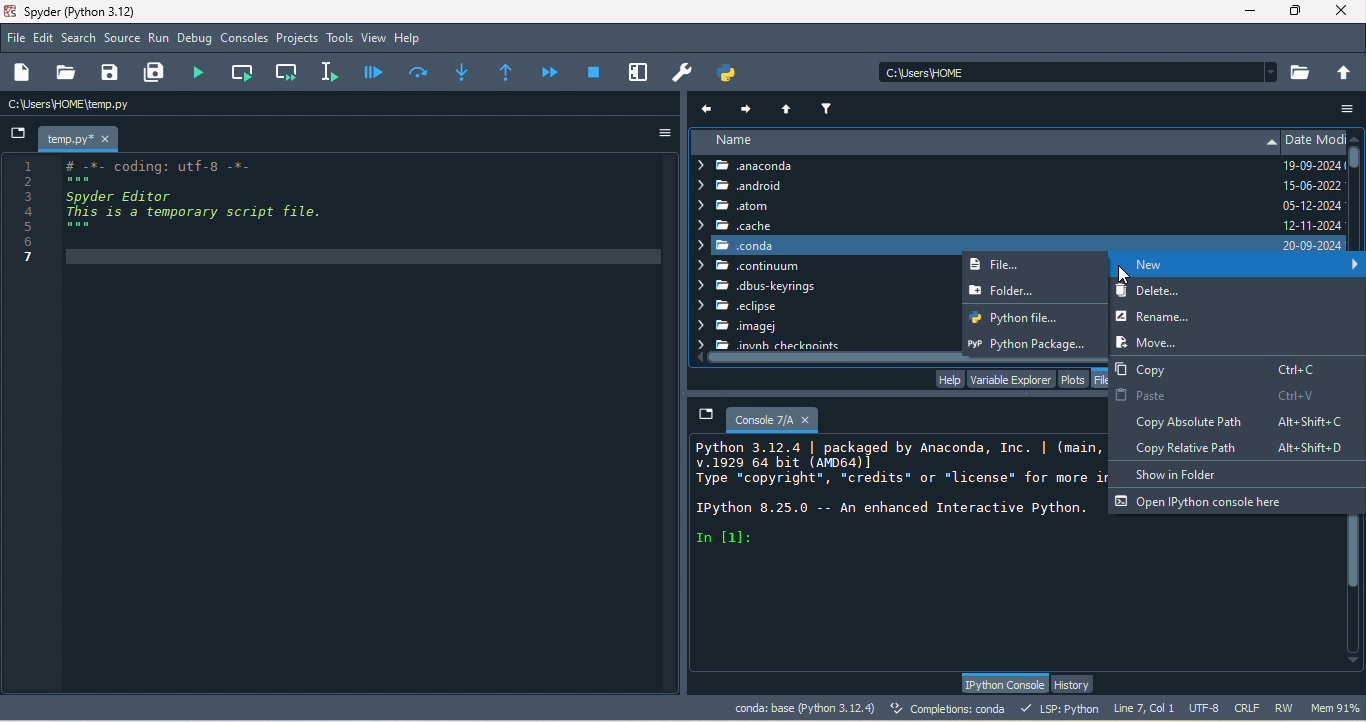  I want to click on checkpoints, so click(769, 344).